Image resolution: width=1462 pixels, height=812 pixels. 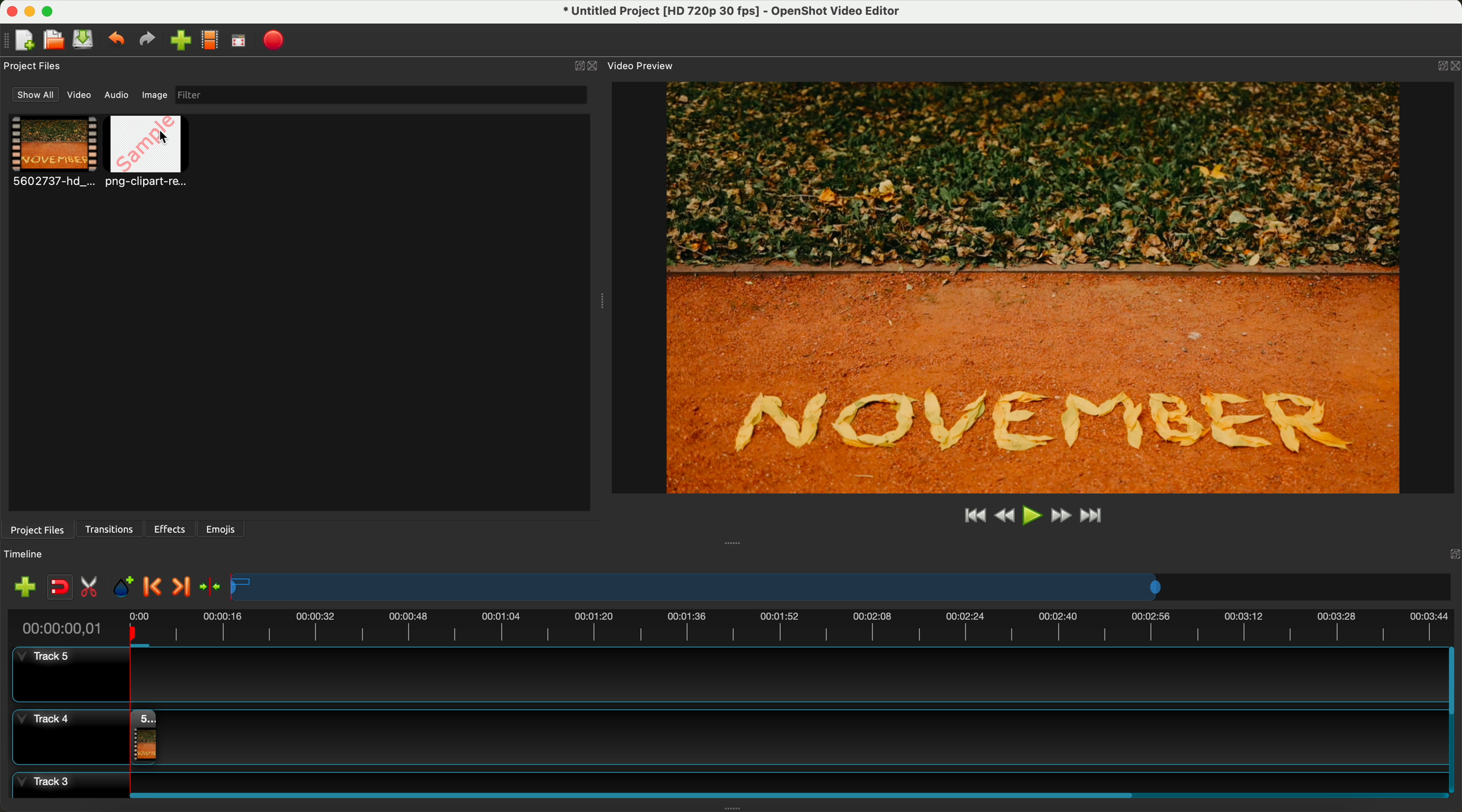 I want to click on disable snapping, so click(x=60, y=588).